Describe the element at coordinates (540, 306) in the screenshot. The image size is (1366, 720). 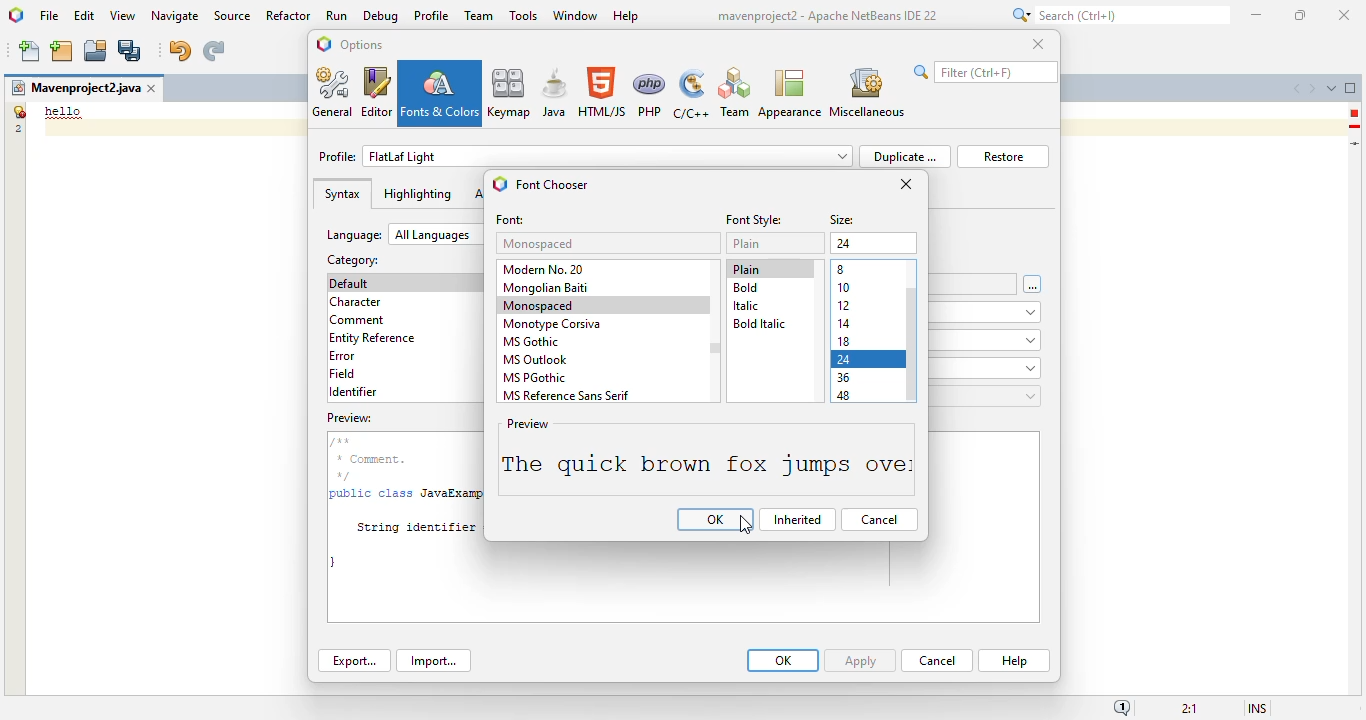
I see `monospaced` at that location.